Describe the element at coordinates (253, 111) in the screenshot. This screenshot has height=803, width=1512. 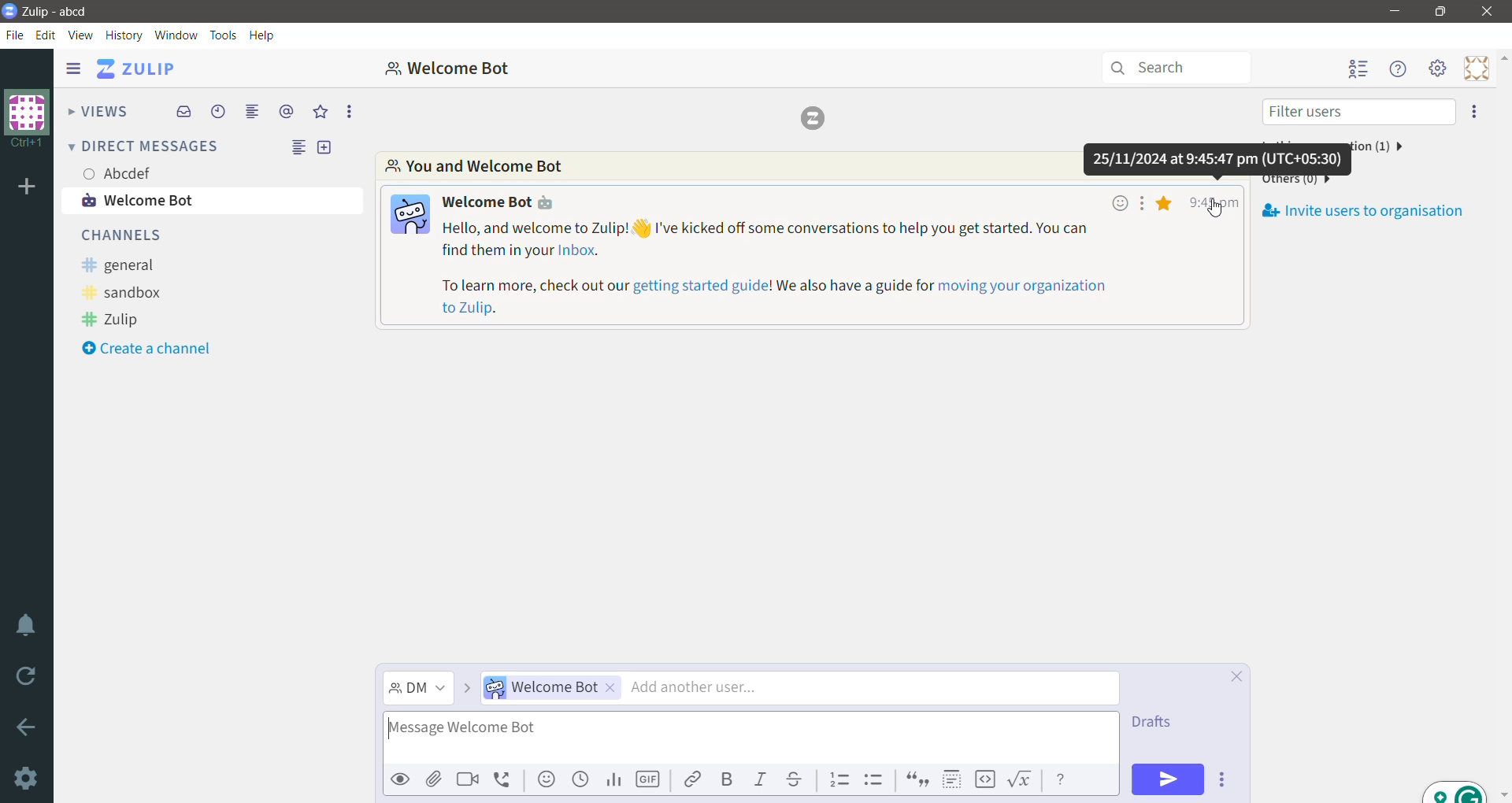
I see `Combined feed` at that location.